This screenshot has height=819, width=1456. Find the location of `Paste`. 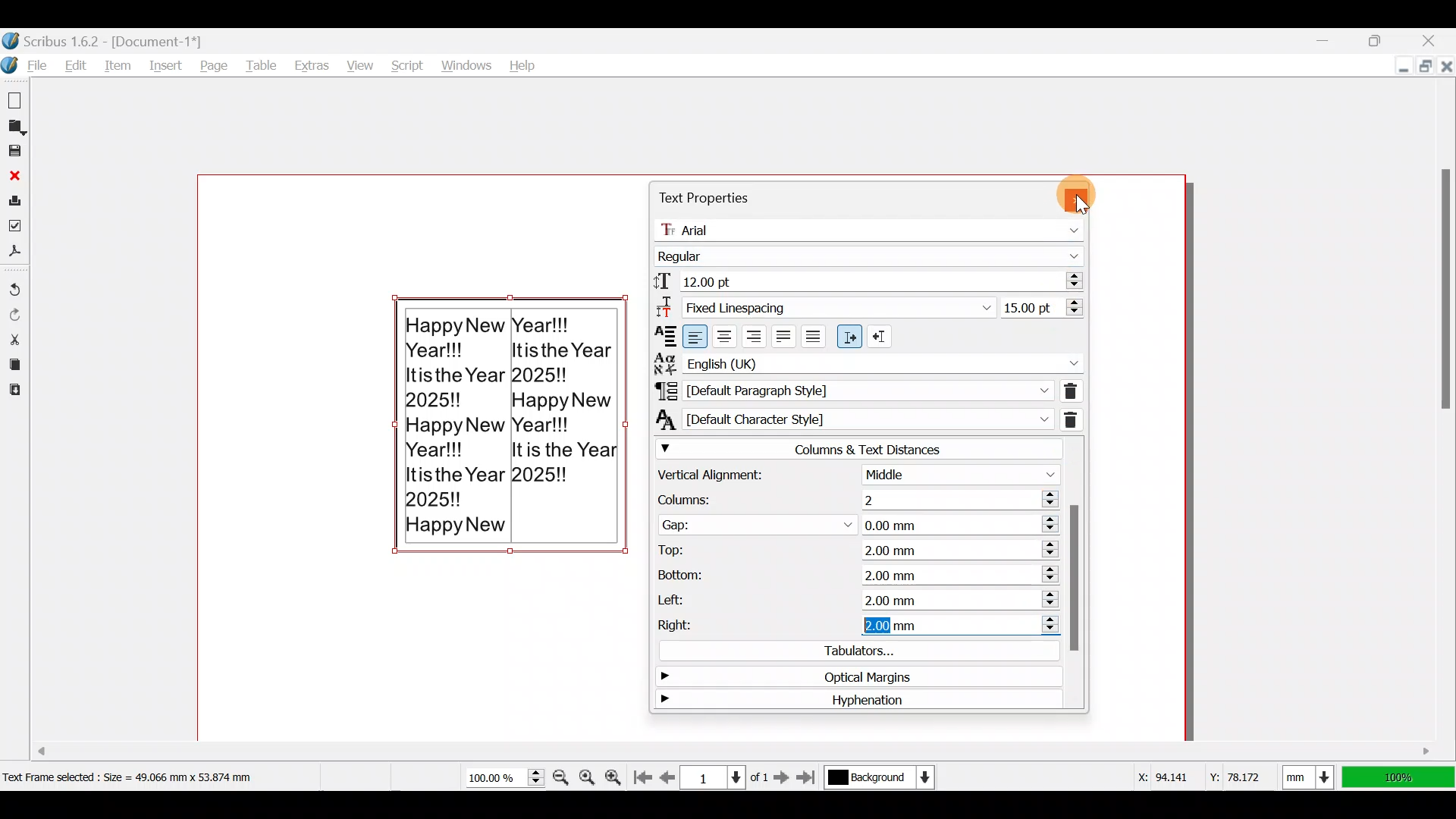

Paste is located at coordinates (14, 392).